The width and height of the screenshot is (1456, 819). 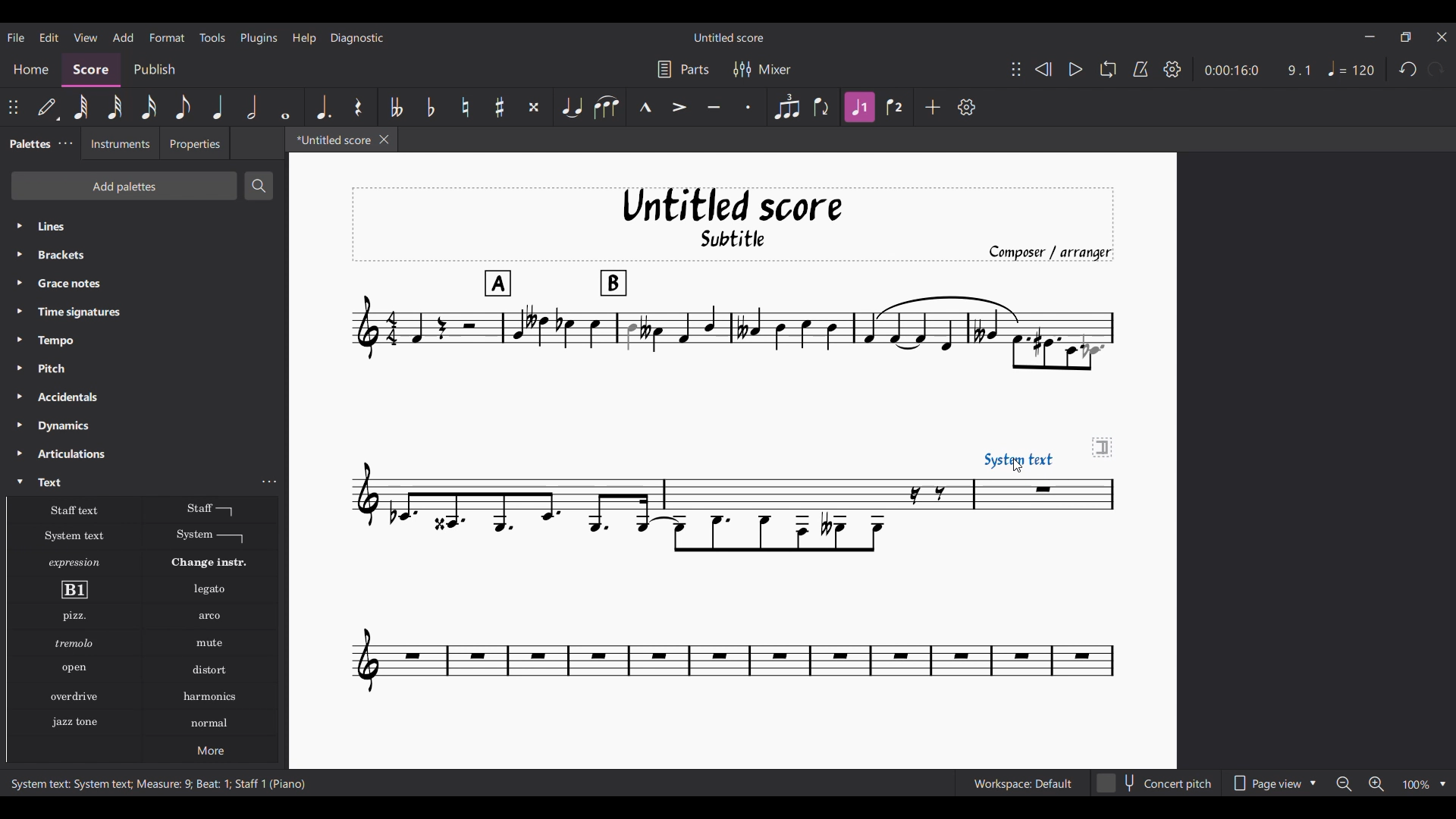 I want to click on Whole note, so click(x=287, y=107).